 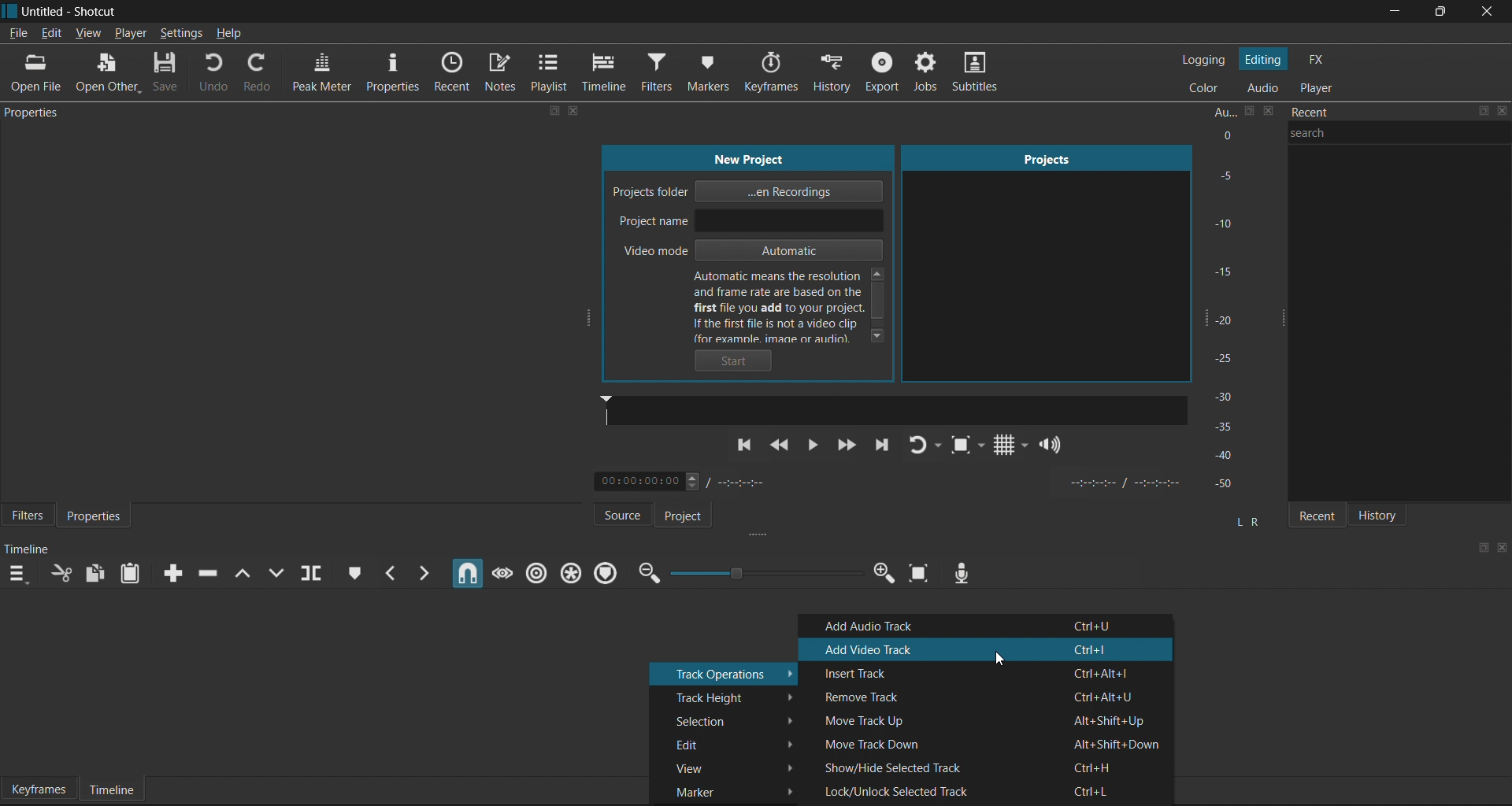 I want to click on Cut, so click(x=61, y=575).